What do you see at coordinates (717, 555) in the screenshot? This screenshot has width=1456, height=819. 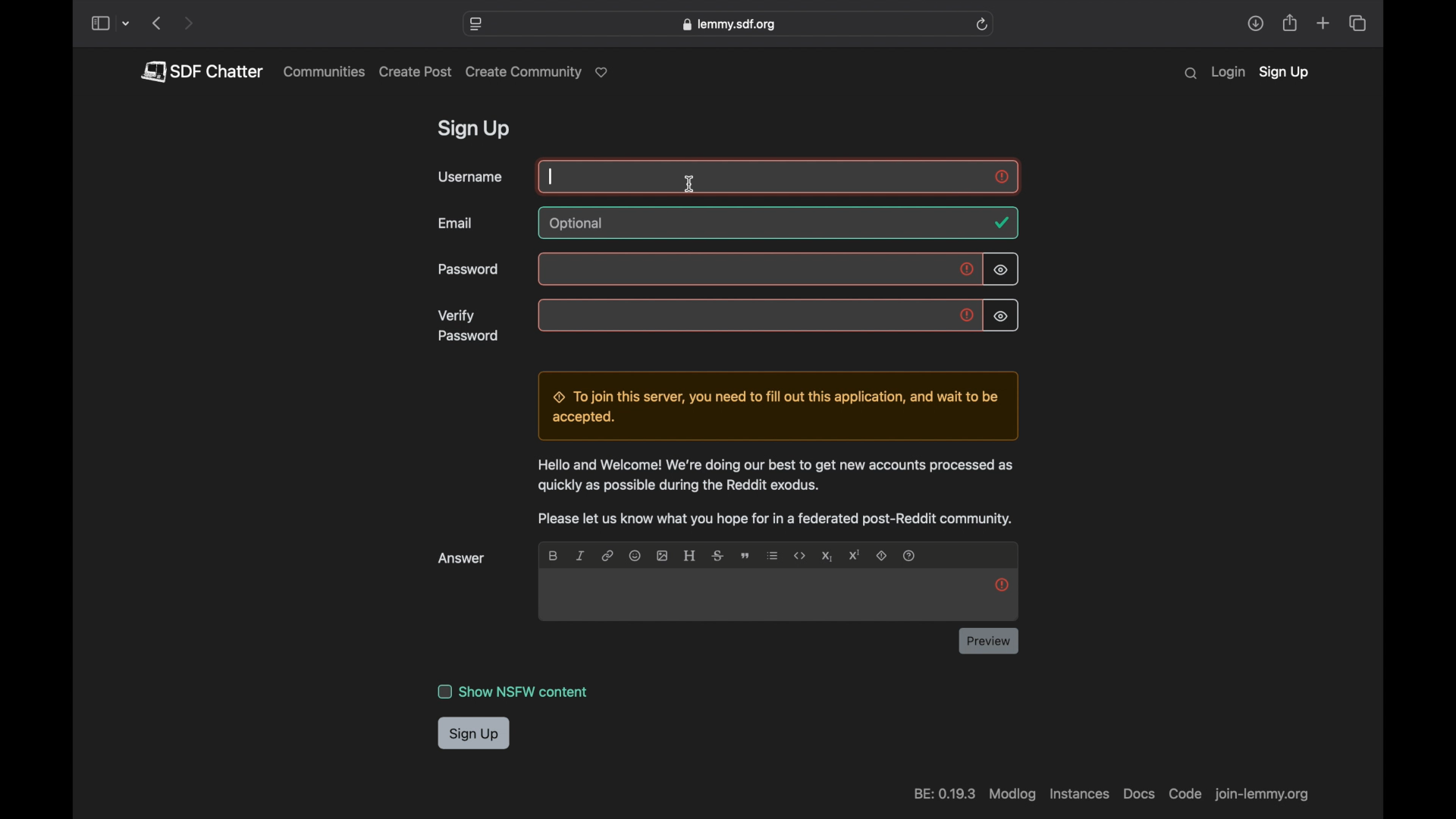 I see `strikethrough` at bounding box center [717, 555].